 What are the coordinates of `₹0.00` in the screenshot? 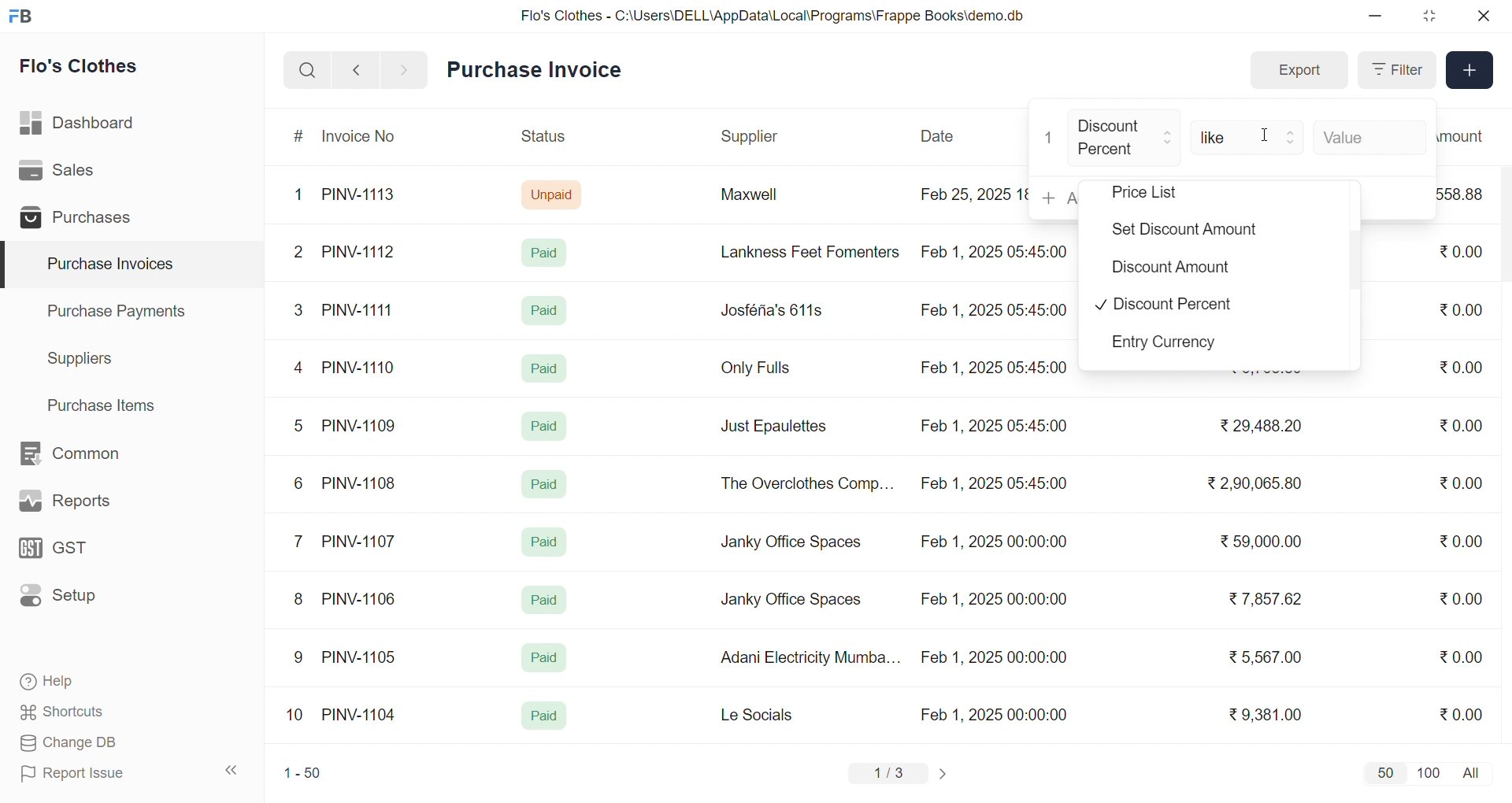 It's located at (1460, 485).